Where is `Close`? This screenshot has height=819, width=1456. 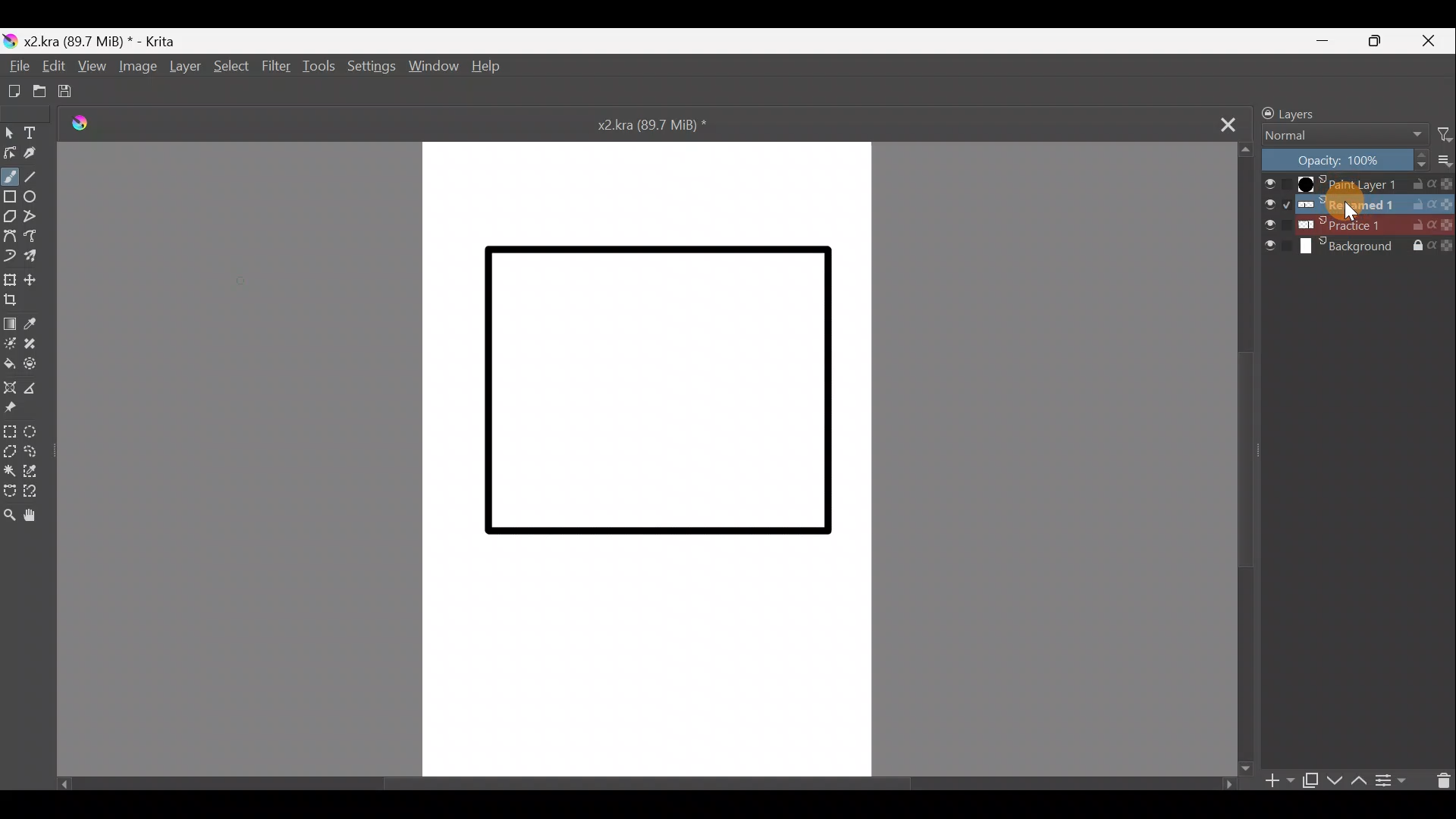 Close is located at coordinates (1427, 44).